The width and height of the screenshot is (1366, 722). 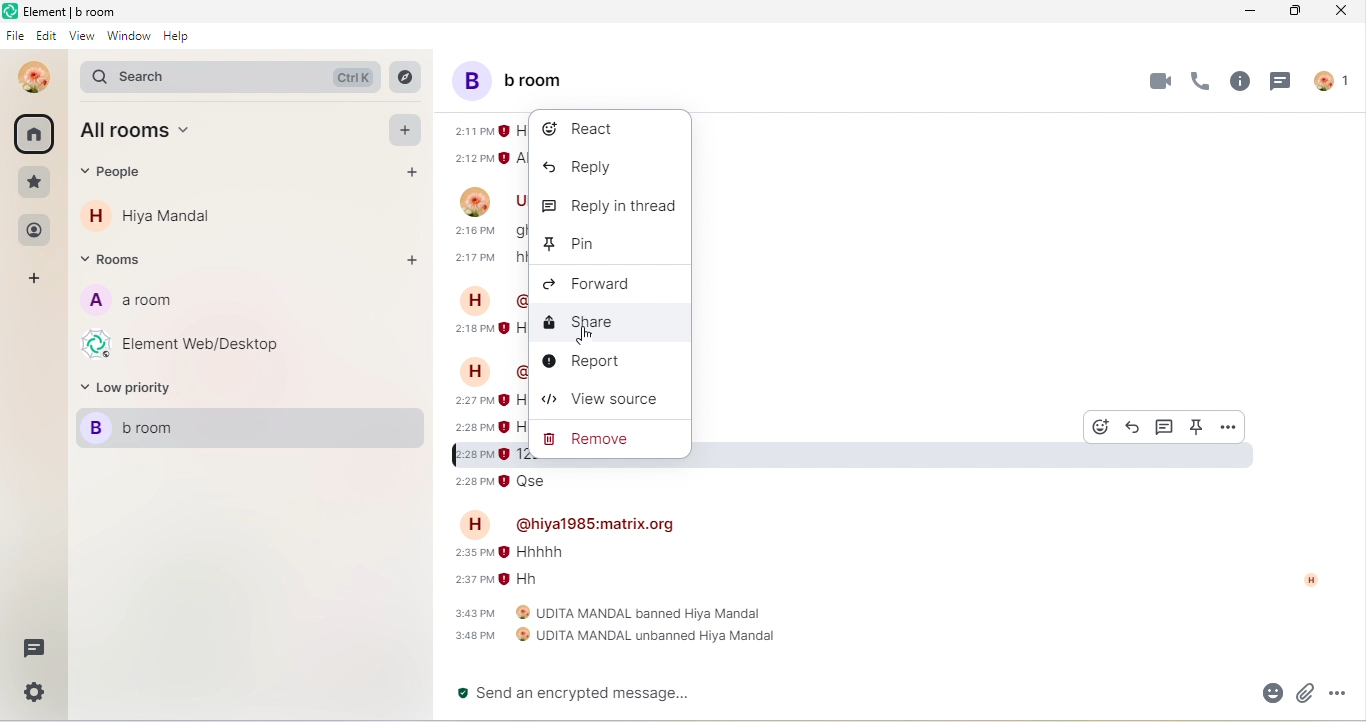 I want to click on report, so click(x=591, y=364).